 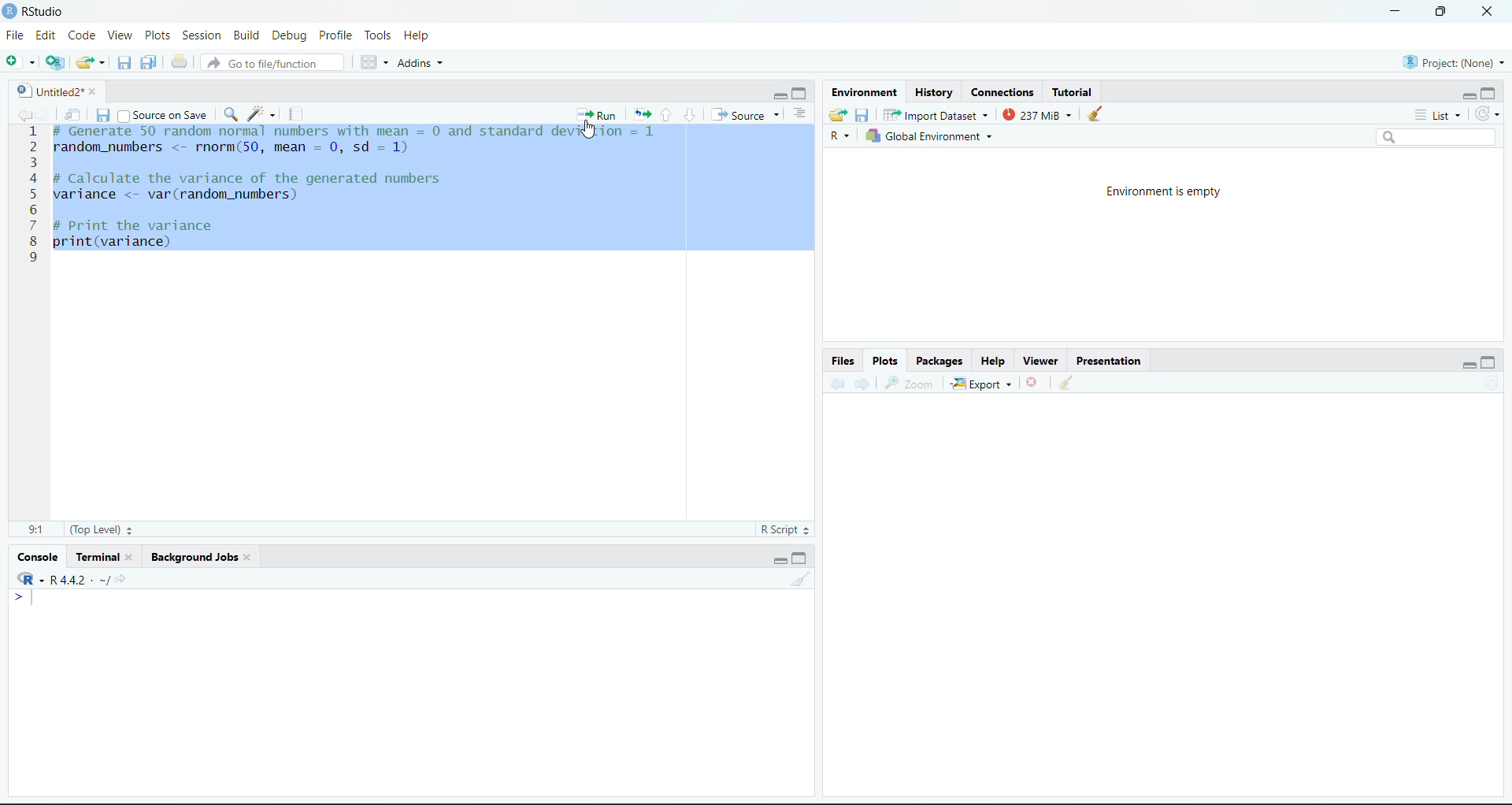 I want to click on forward, so click(x=863, y=384).